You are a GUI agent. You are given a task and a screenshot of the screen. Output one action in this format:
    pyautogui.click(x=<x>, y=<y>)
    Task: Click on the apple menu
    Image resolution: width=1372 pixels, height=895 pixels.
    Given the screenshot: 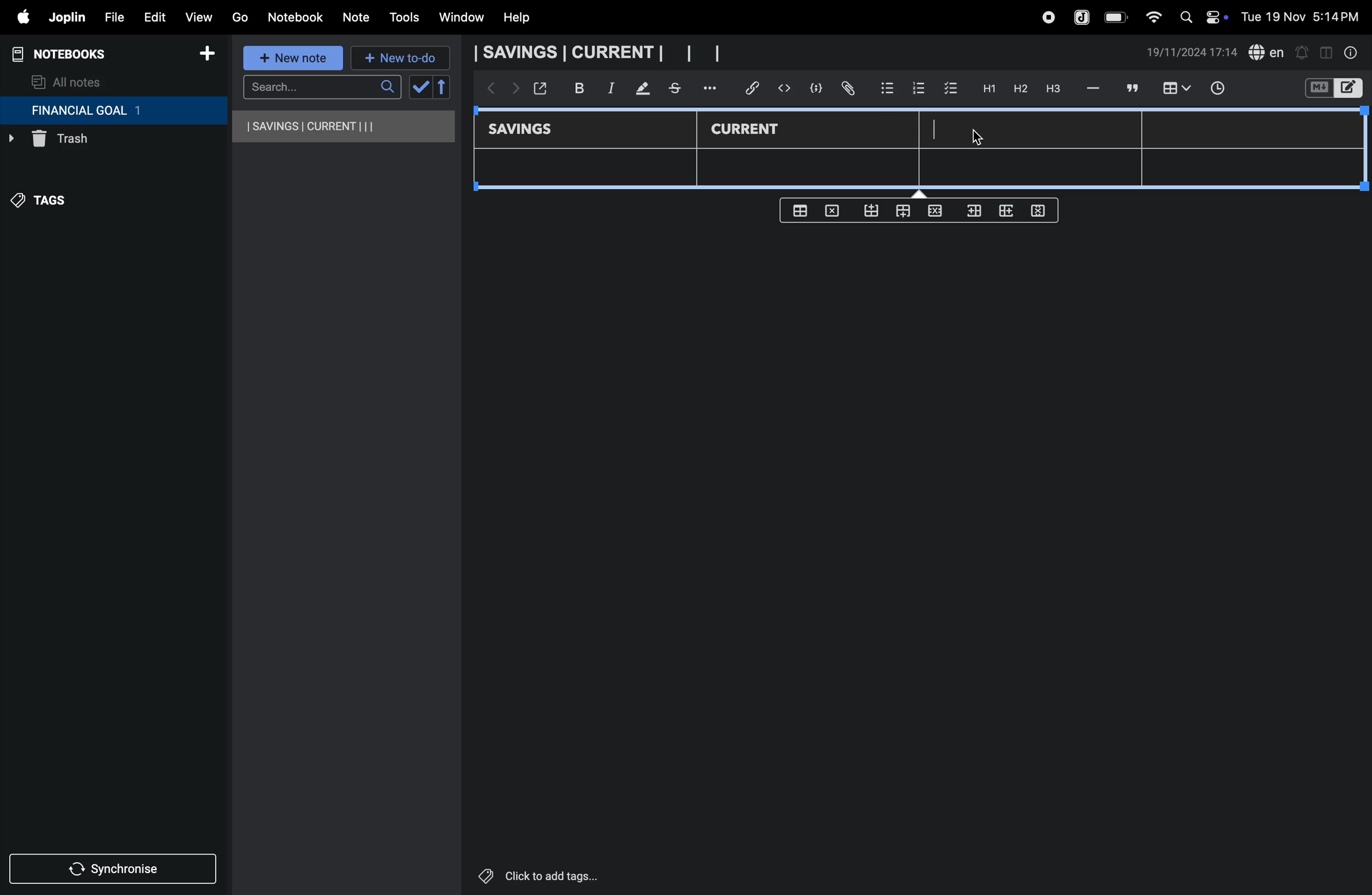 What is the action you would take?
    pyautogui.click(x=17, y=17)
    